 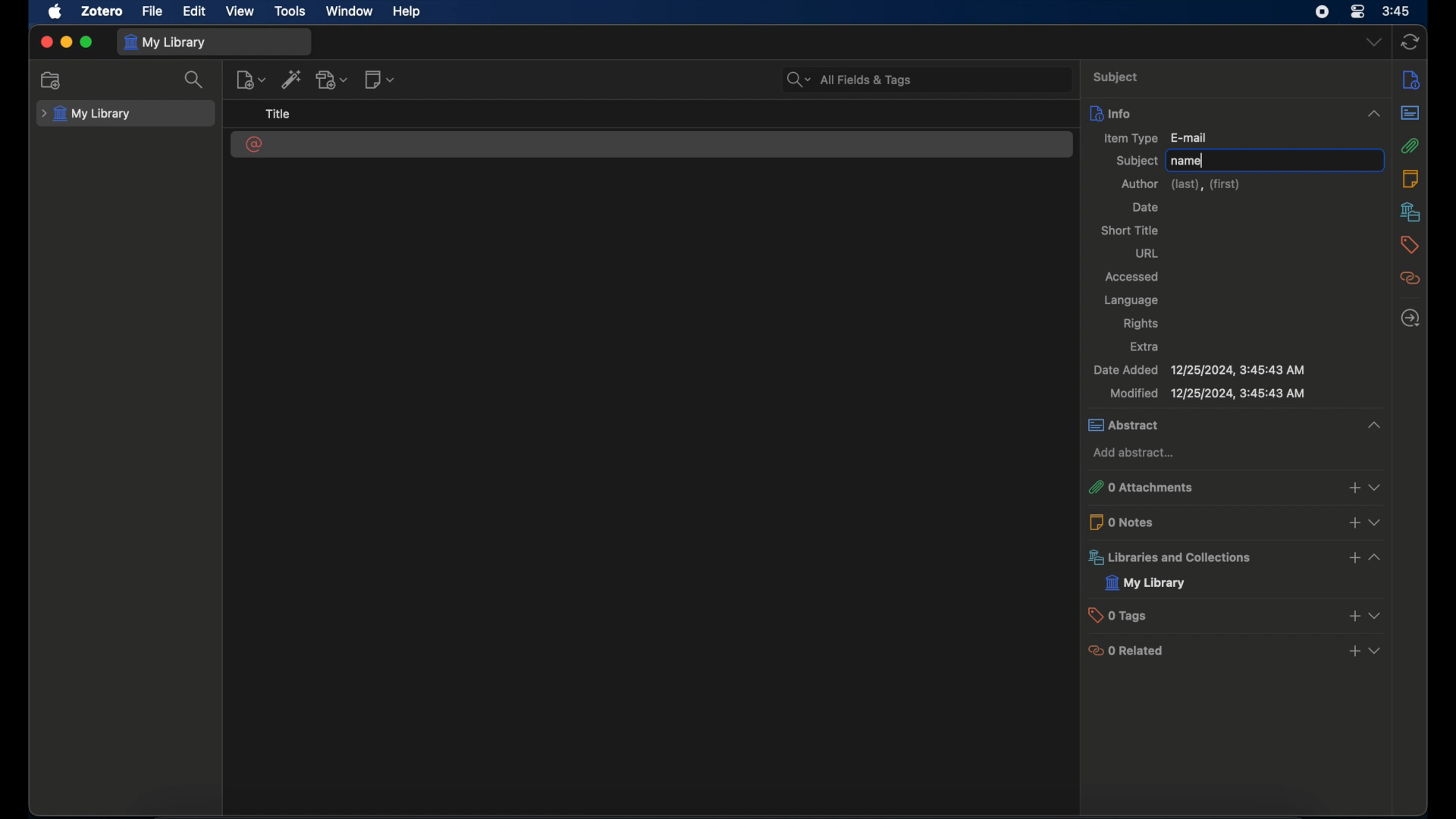 What do you see at coordinates (1133, 278) in the screenshot?
I see `accessed` at bounding box center [1133, 278].